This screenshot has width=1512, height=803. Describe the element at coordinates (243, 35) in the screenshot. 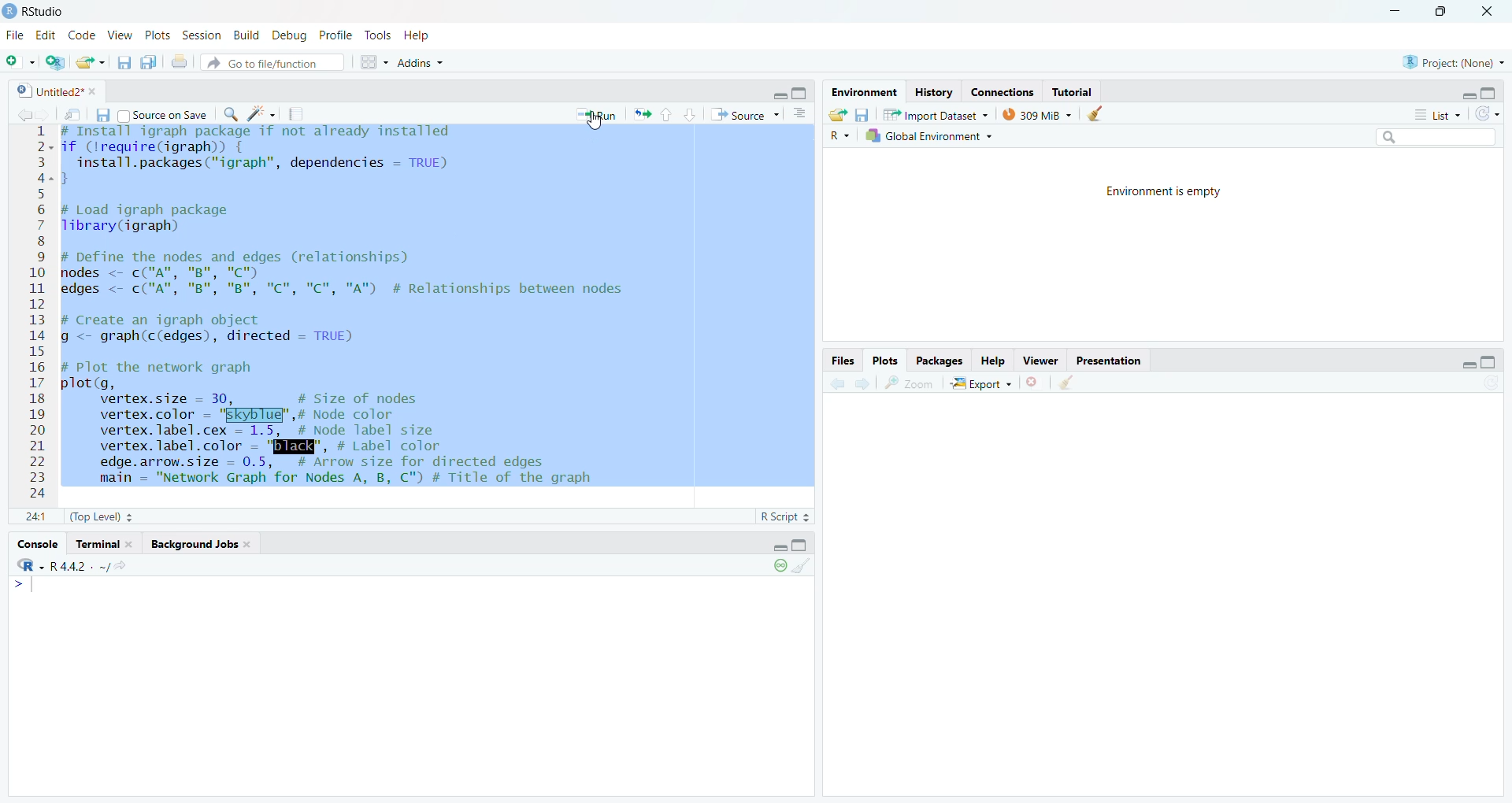

I see `Build` at that location.